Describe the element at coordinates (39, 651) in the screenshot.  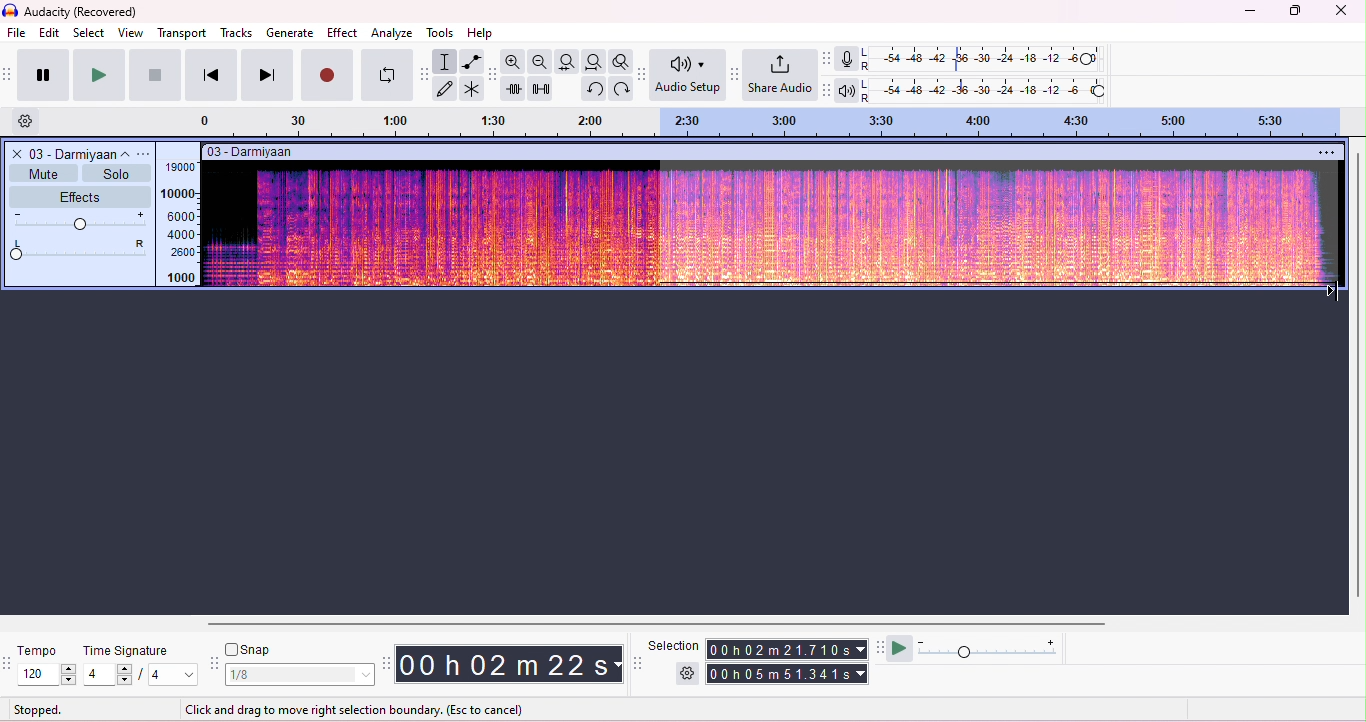
I see `tempo` at that location.